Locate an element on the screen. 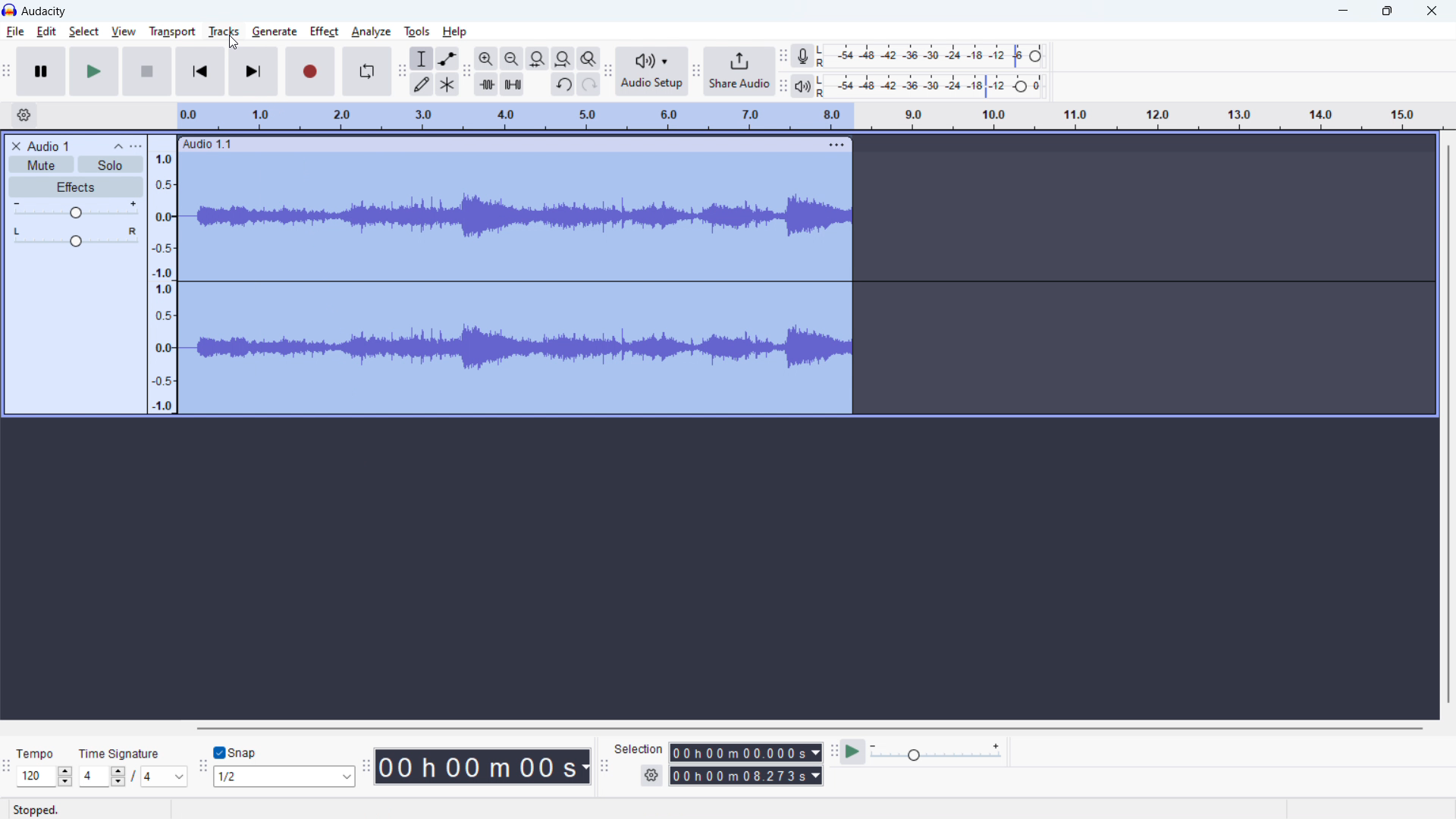  help is located at coordinates (456, 32).